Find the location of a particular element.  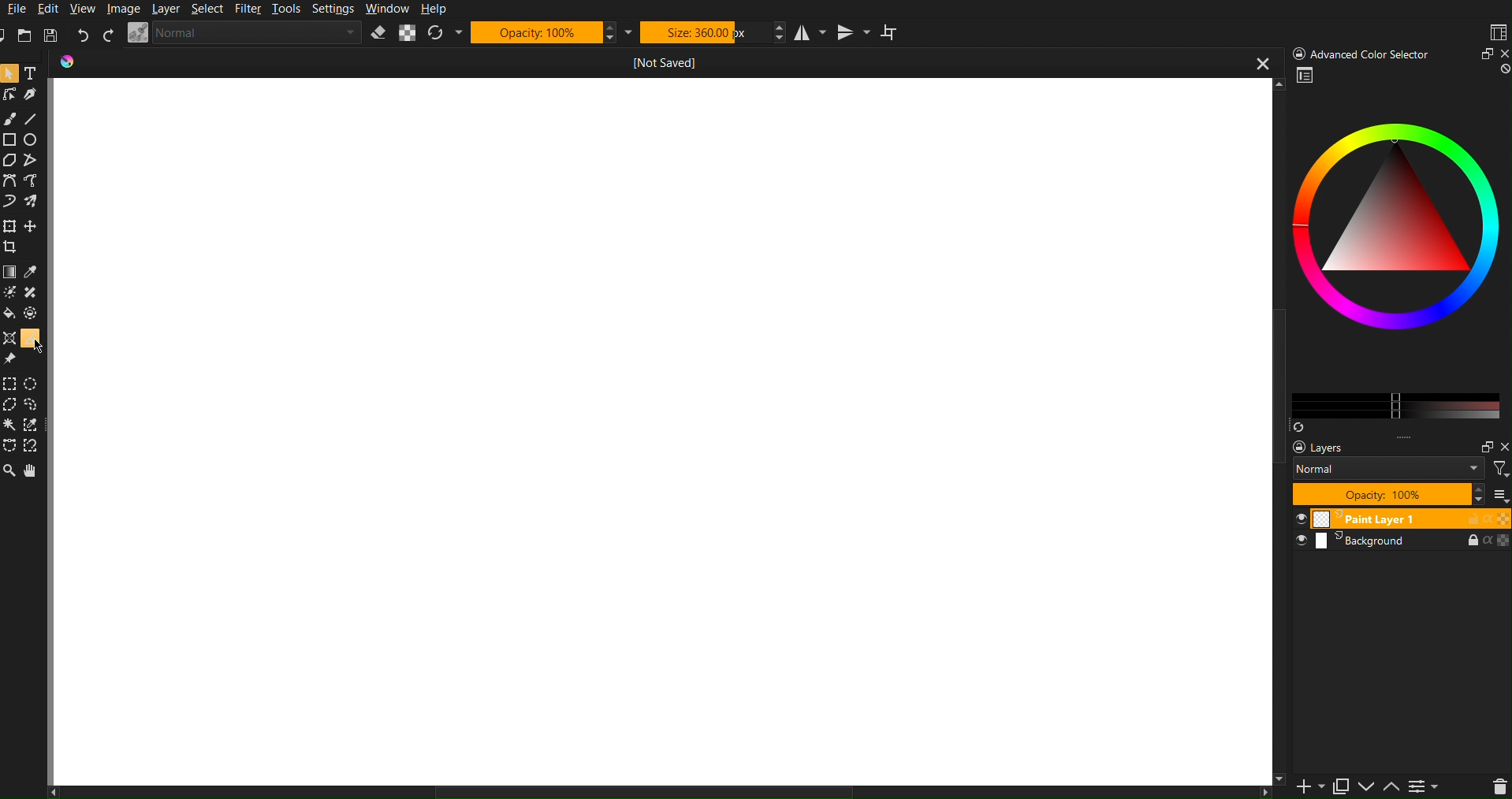

Pen is located at coordinates (32, 93).